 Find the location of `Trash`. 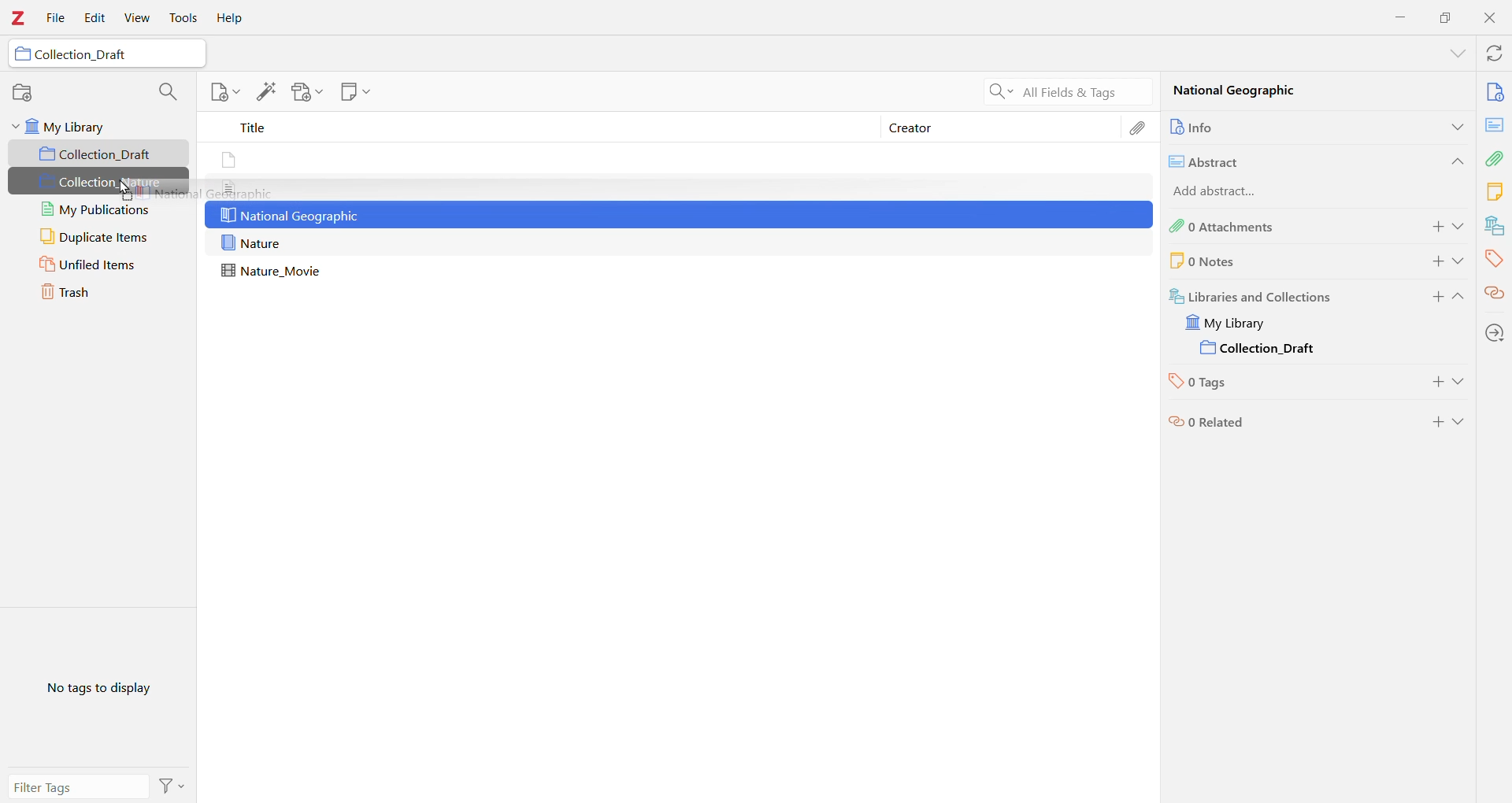

Trash is located at coordinates (99, 294).